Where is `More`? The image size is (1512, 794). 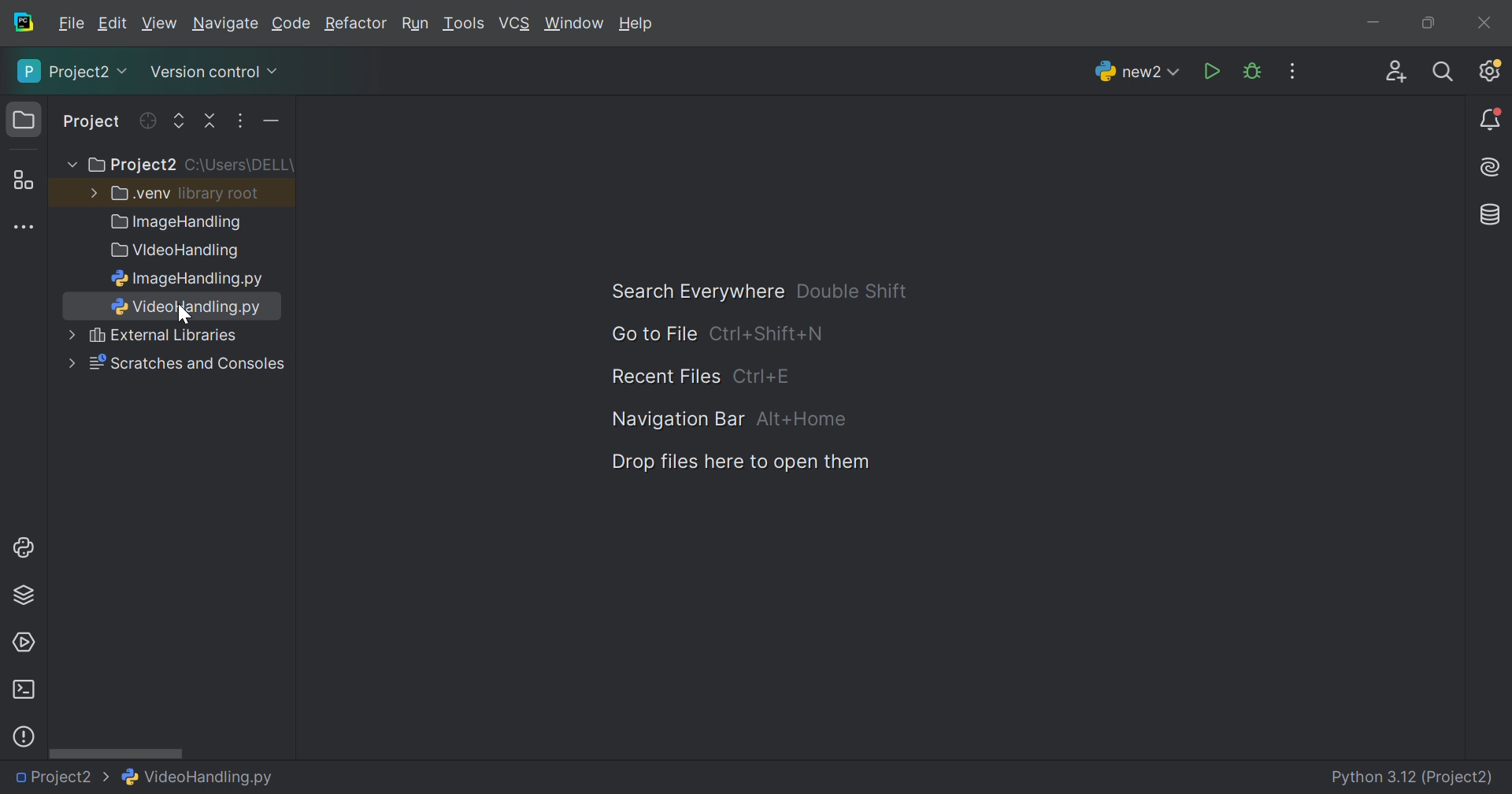
More is located at coordinates (70, 334).